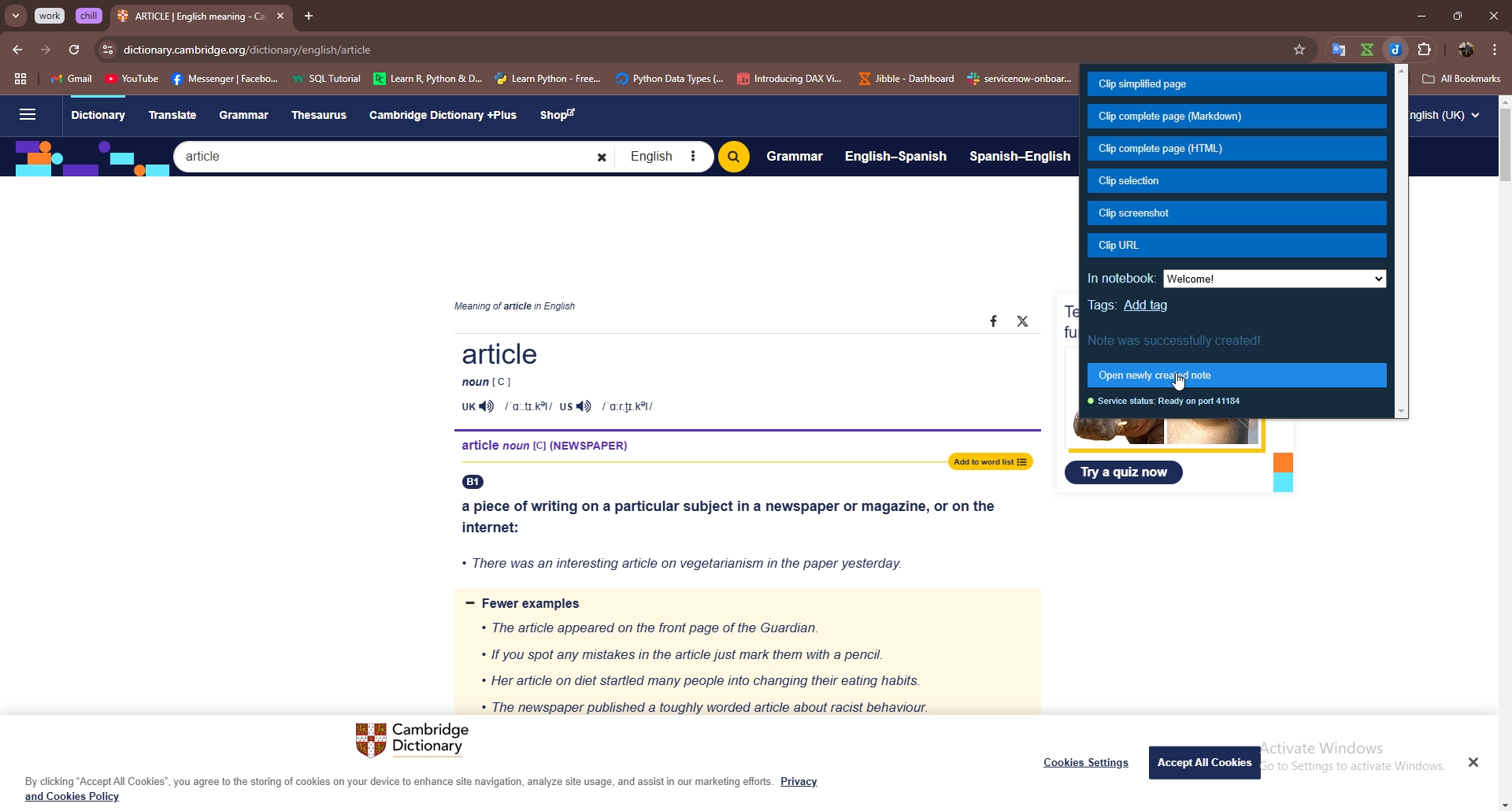 This screenshot has height=811, width=1512. I want to click on add tag, so click(1147, 306).